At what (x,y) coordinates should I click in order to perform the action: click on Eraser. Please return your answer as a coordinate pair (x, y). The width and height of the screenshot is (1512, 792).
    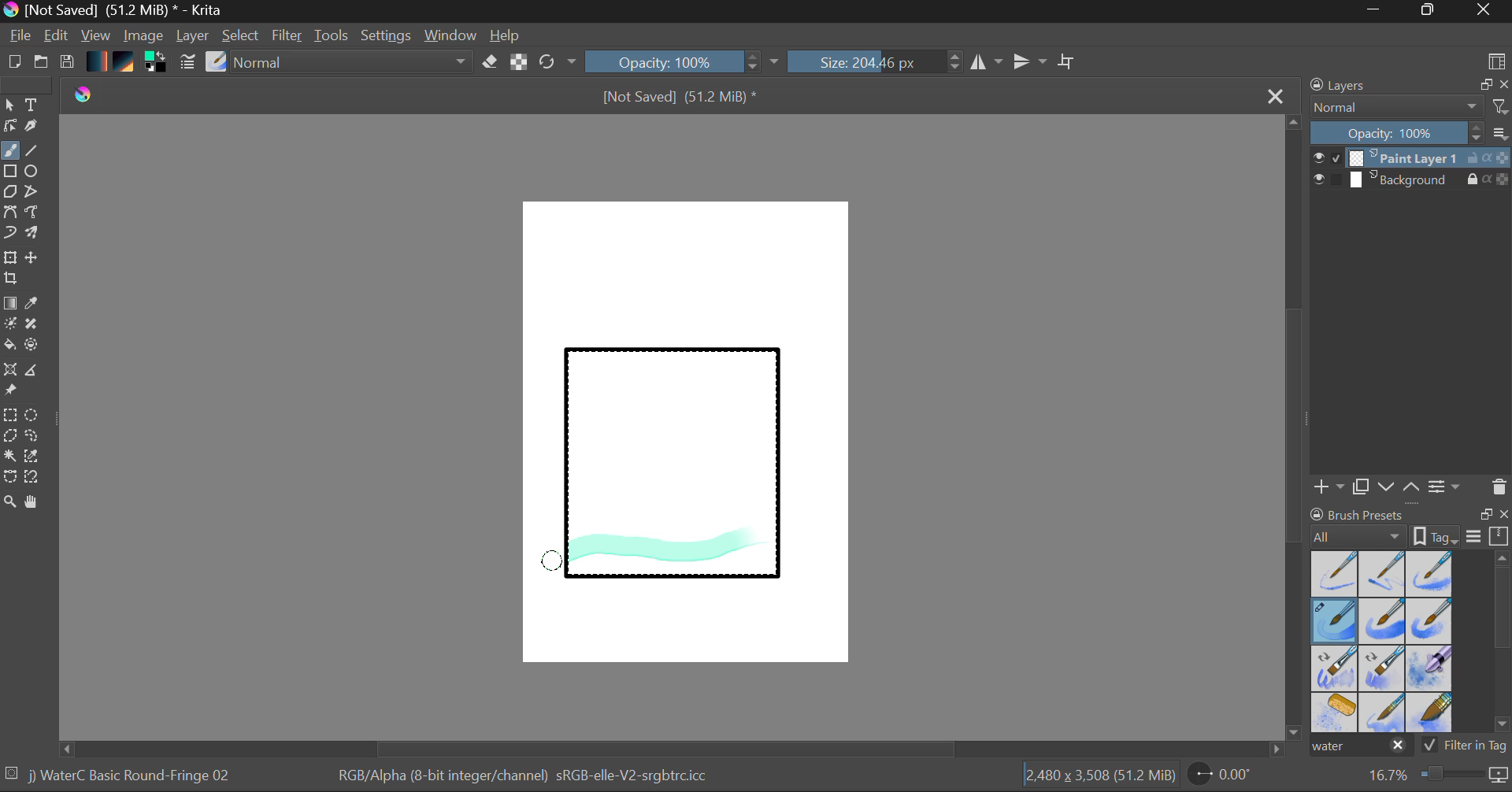
    Looking at the image, I should click on (491, 62).